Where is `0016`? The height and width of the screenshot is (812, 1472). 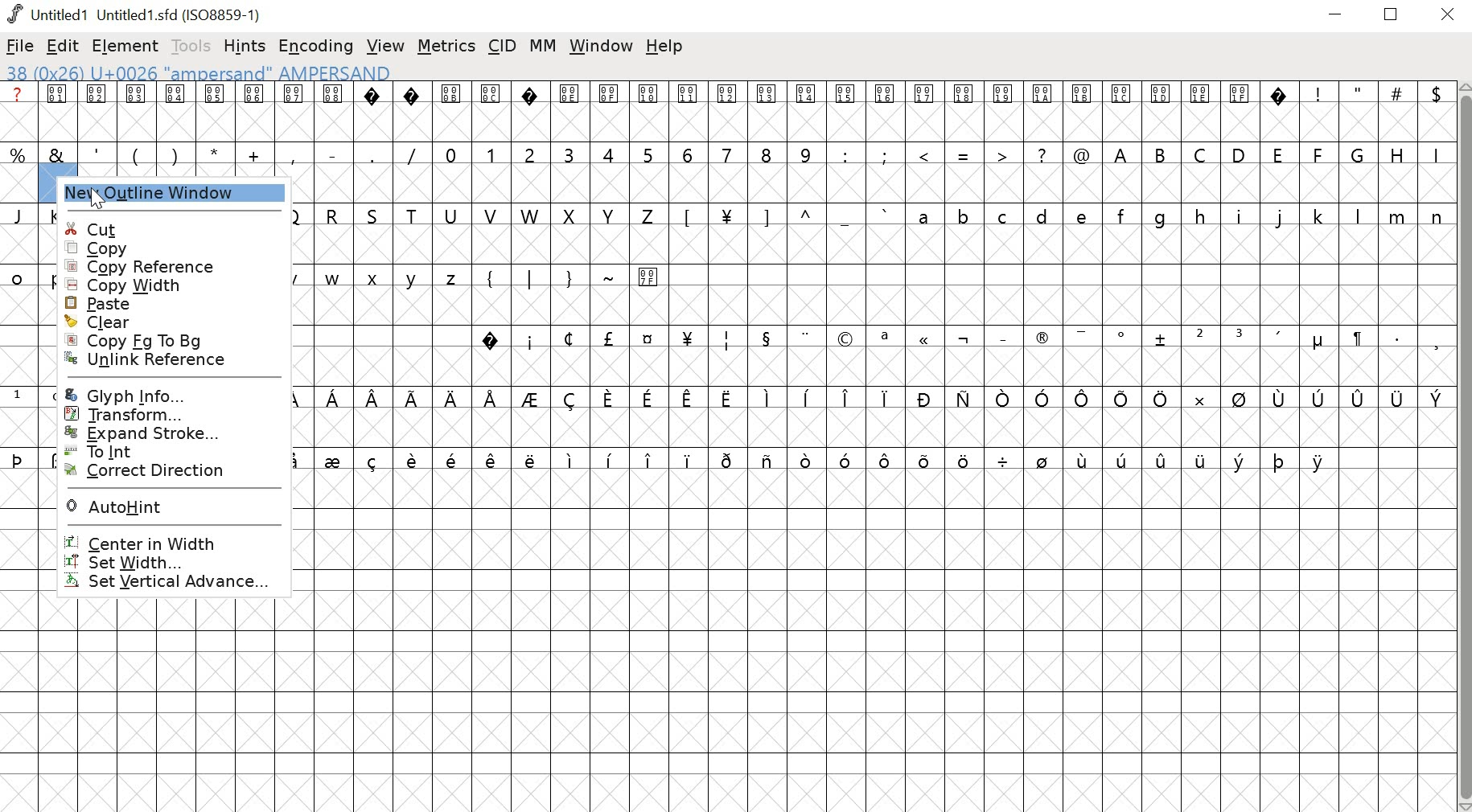 0016 is located at coordinates (886, 110).